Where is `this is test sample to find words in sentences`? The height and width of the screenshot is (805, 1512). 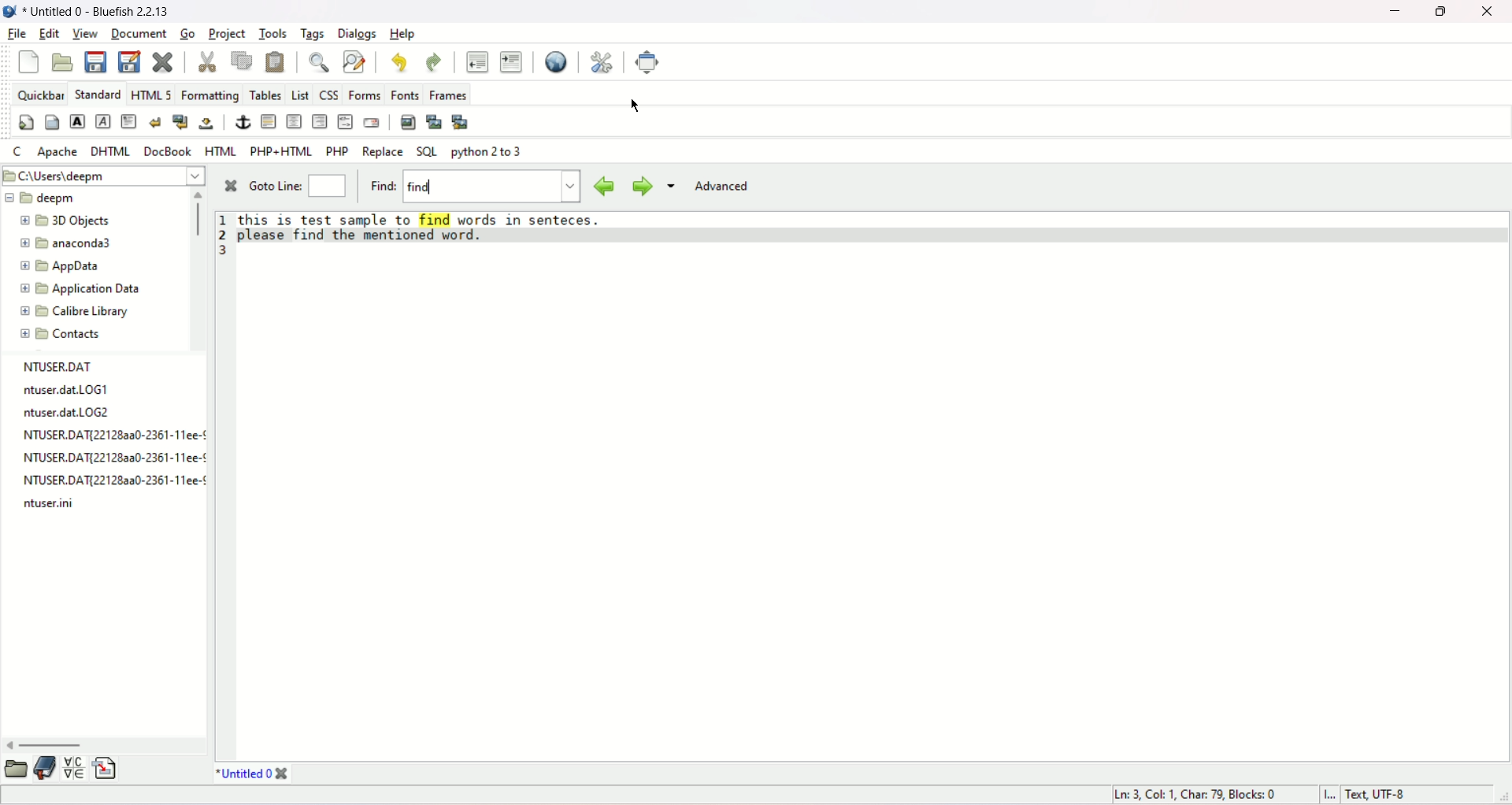
this is test sample to find words in sentences is located at coordinates (425, 217).